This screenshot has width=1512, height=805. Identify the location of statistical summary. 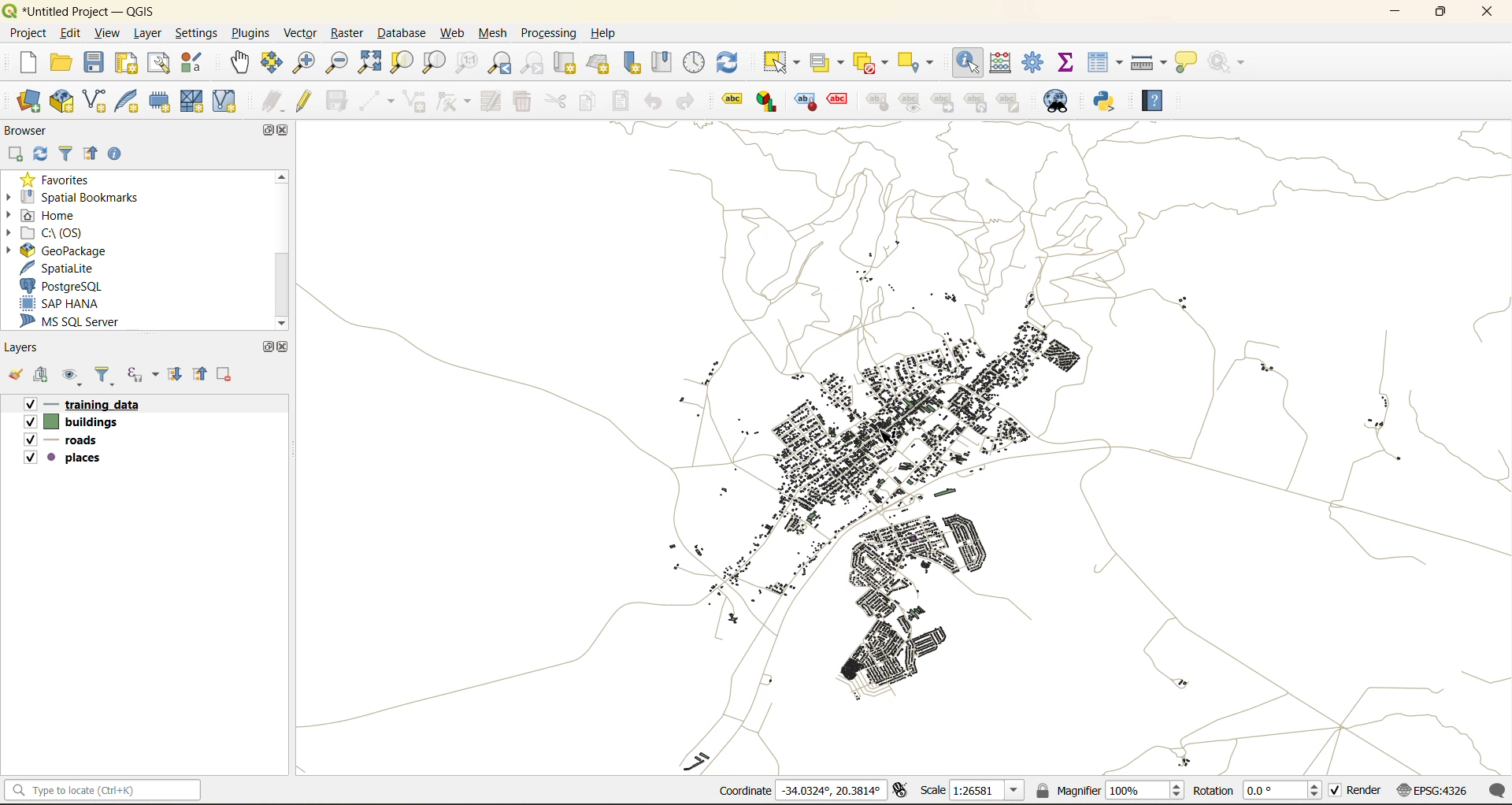
(1067, 63).